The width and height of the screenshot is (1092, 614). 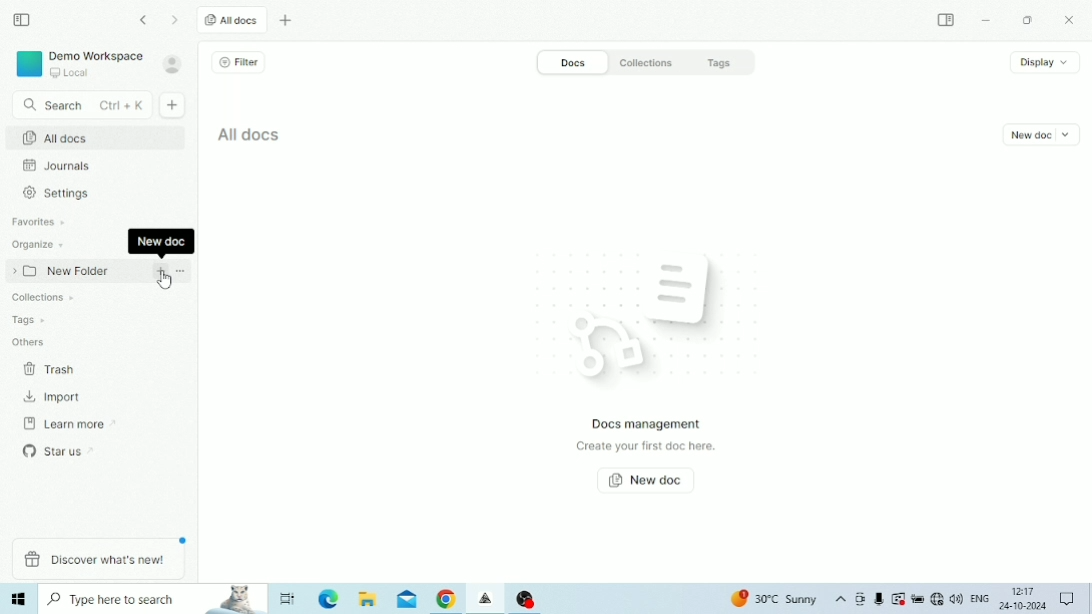 I want to click on All docs, so click(x=252, y=133).